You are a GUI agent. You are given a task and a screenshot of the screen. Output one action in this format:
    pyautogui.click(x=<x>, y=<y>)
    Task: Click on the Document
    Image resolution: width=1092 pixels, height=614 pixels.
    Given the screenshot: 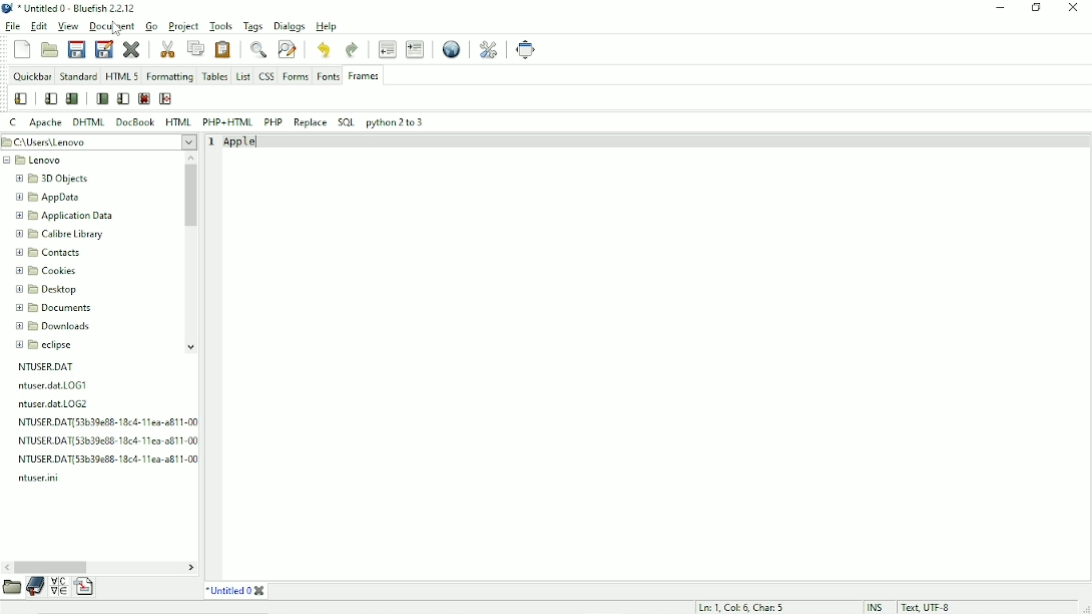 What is the action you would take?
    pyautogui.click(x=112, y=27)
    